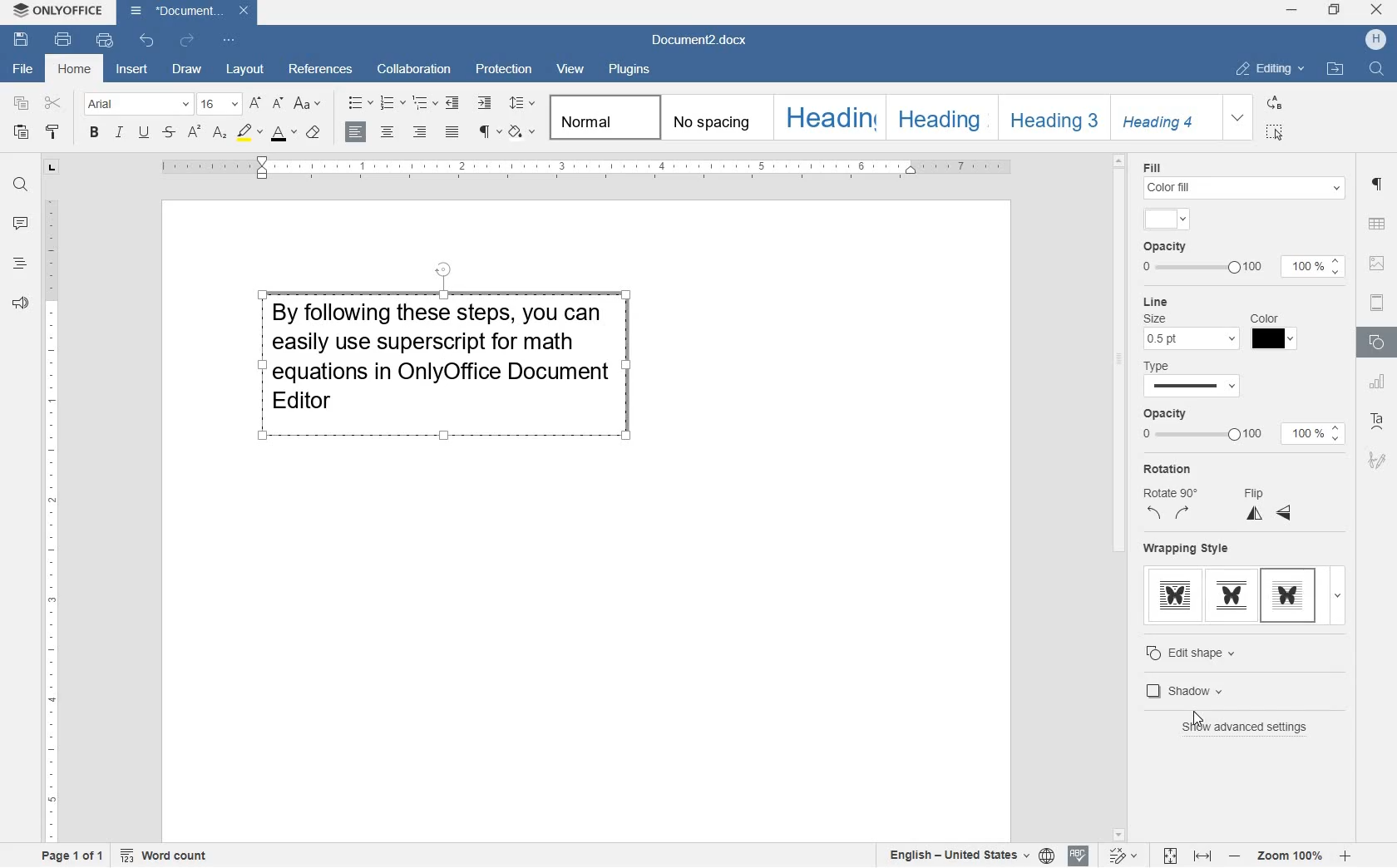  Describe the element at coordinates (1166, 219) in the screenshot. I see `input color` at that location.